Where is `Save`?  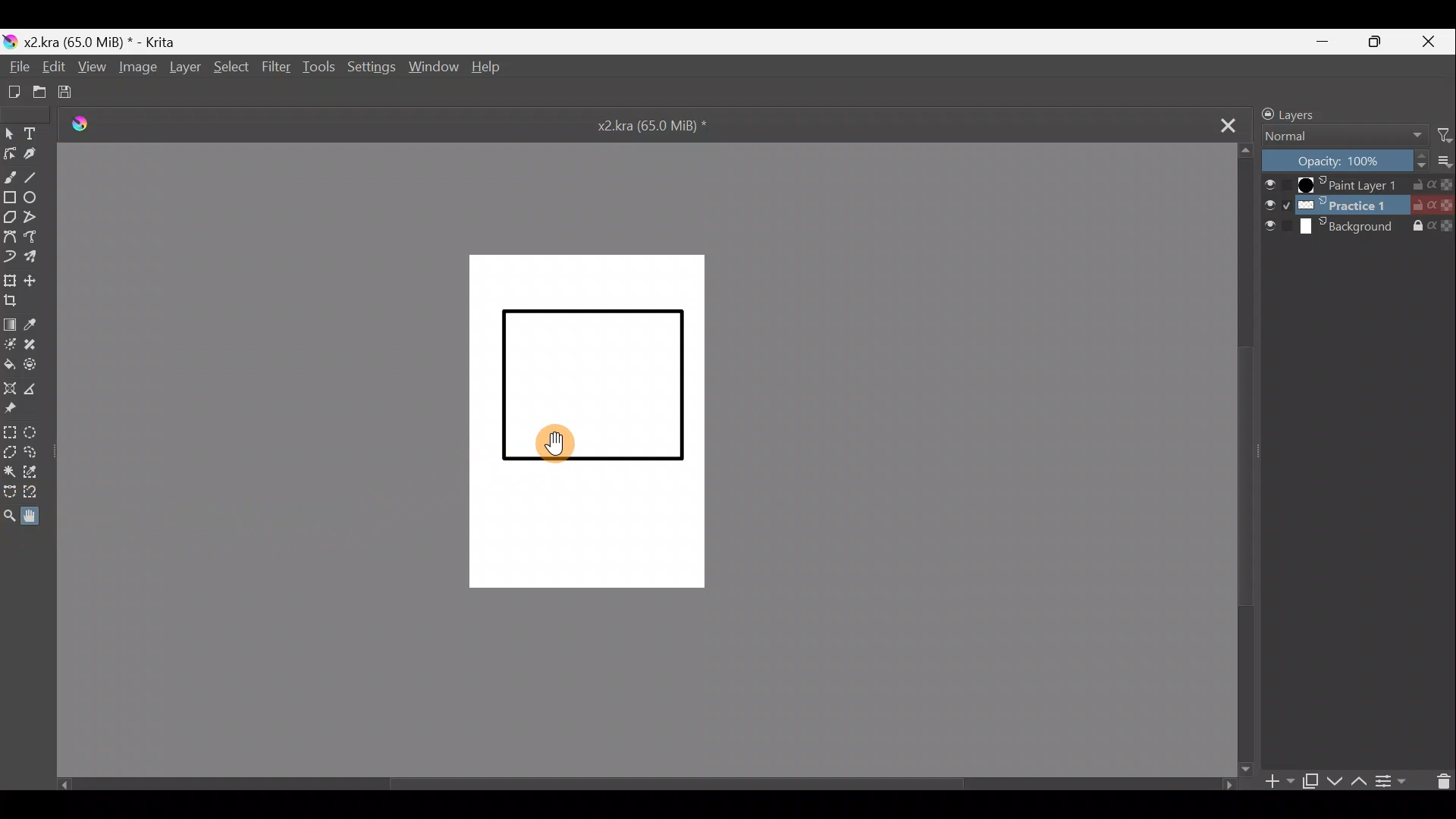 Save is located at coordinates (71, 93).